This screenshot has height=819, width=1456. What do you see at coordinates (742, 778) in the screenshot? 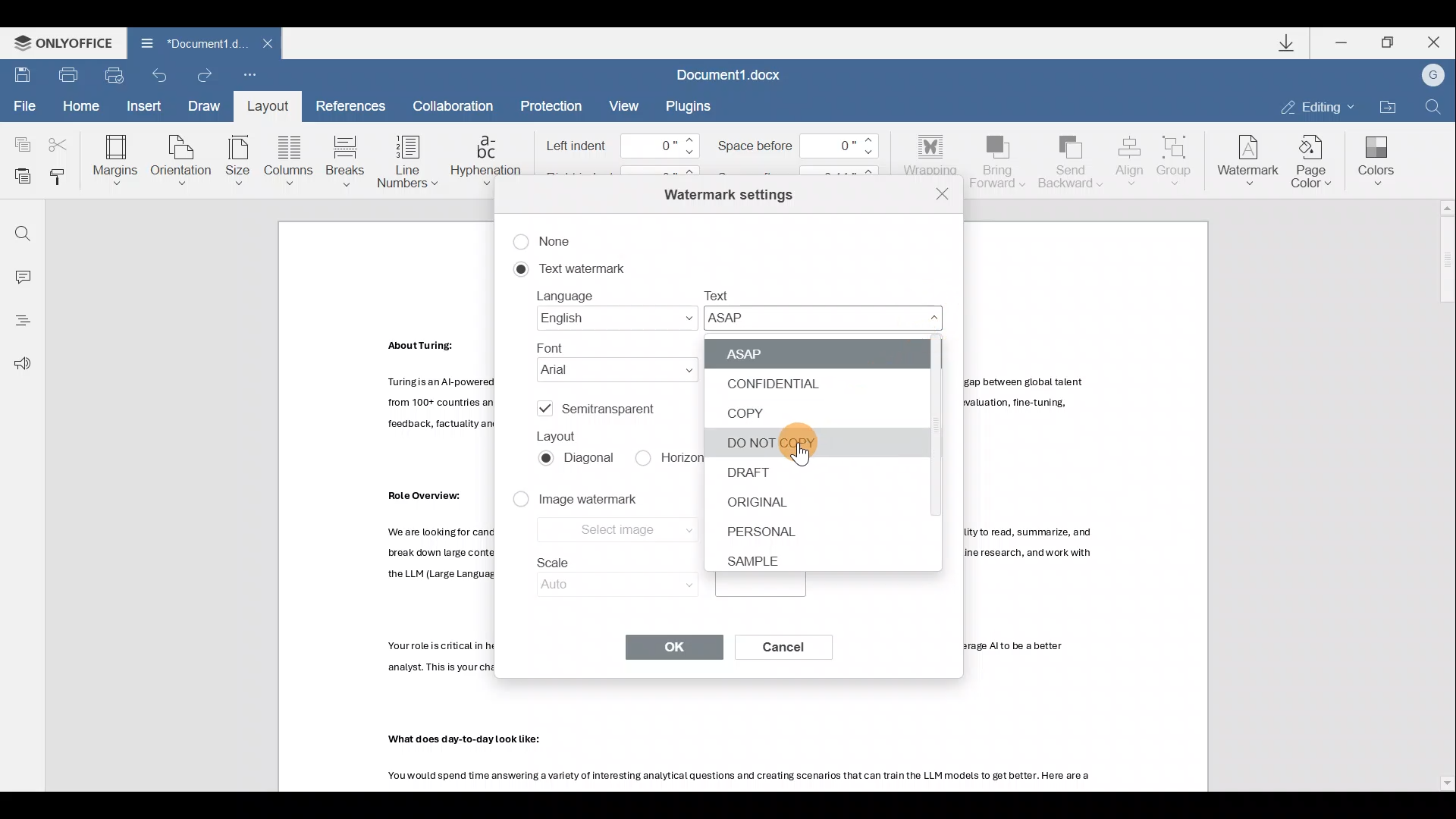
I see `` at bounding box center [742, 778].